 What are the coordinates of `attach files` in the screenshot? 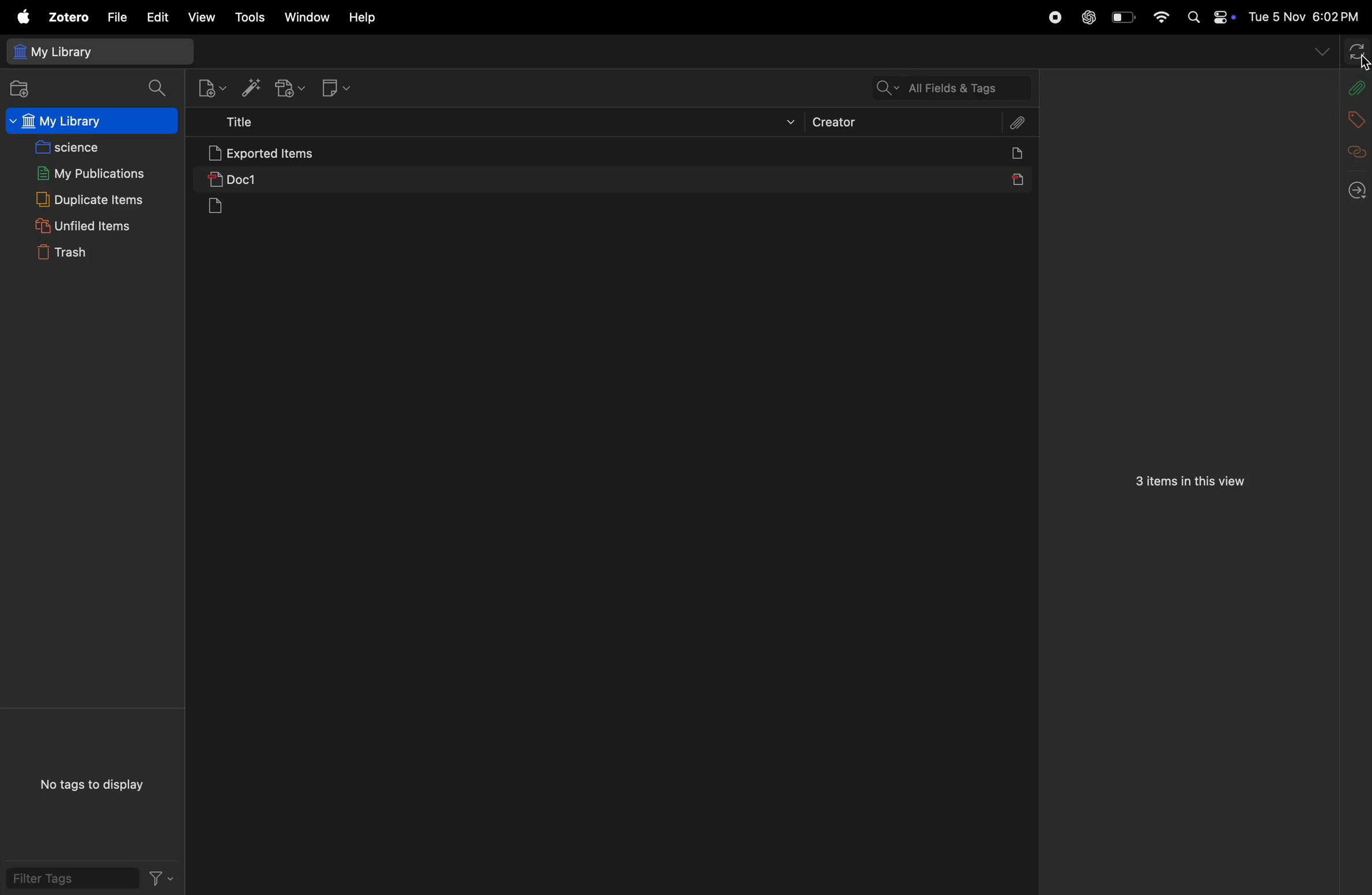 It's located at (1354, 88).